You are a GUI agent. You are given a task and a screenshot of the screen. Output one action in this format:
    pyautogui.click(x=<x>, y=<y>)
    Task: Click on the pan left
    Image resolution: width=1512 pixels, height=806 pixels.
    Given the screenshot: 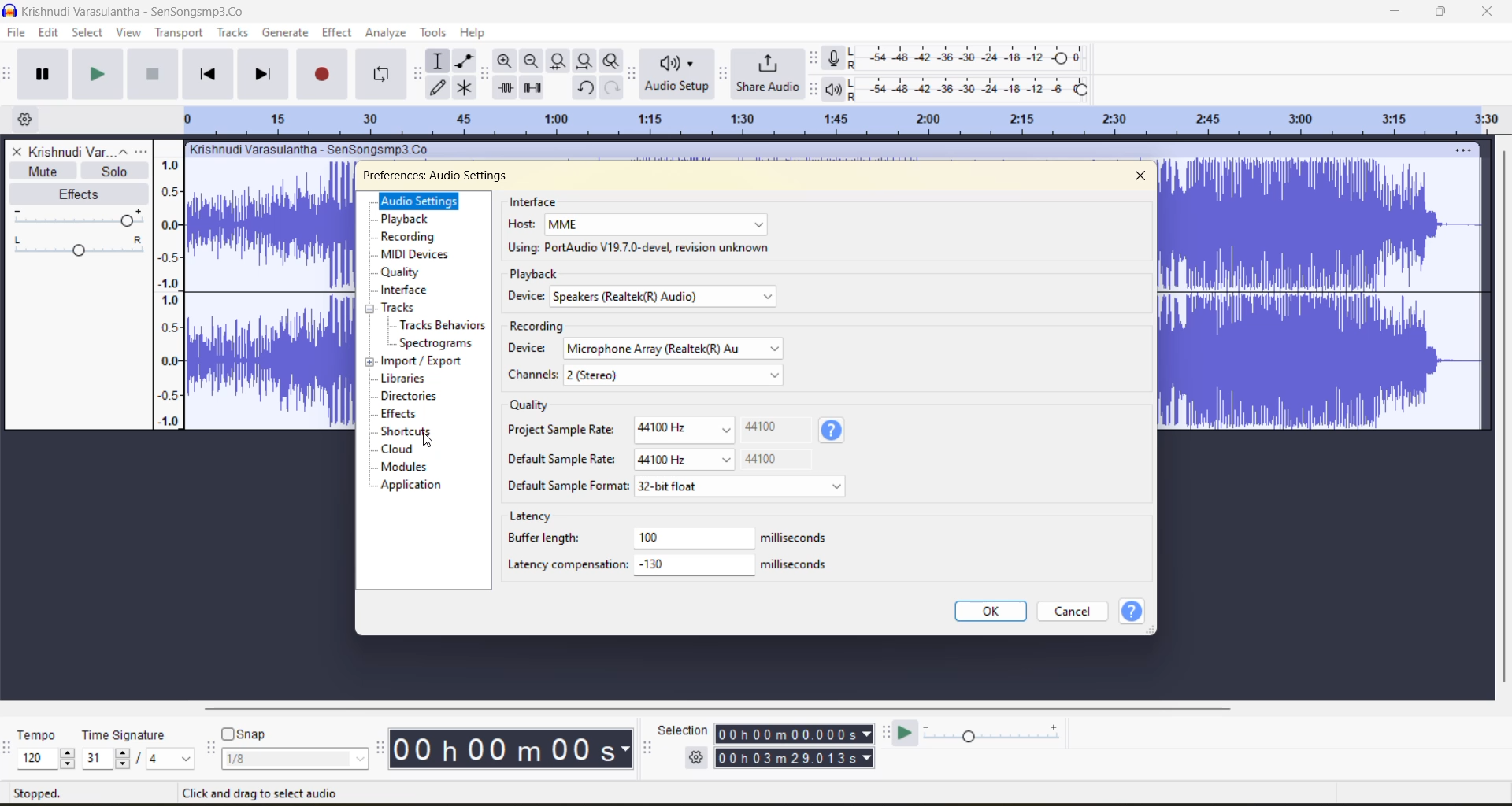 What is the action you would take?
    pyautogui.click(x=20, y=240)
    